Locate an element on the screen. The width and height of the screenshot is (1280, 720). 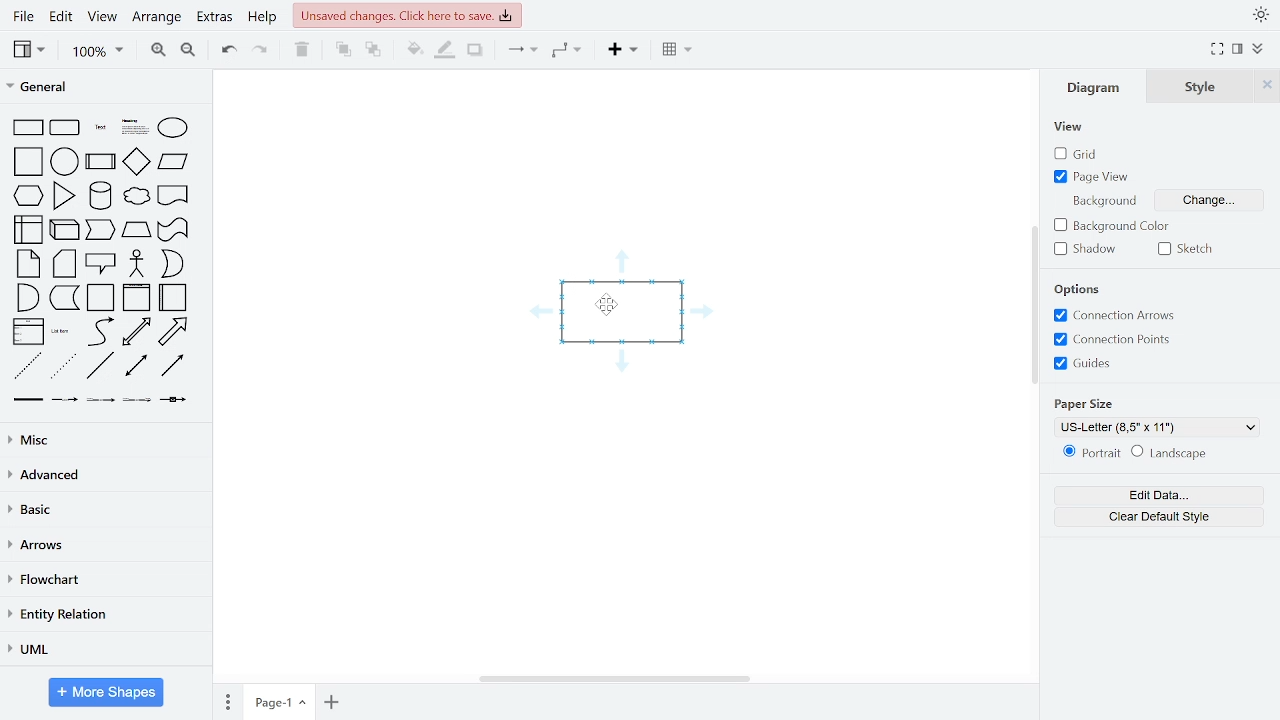
diamond is located at coordinates (136, 161).